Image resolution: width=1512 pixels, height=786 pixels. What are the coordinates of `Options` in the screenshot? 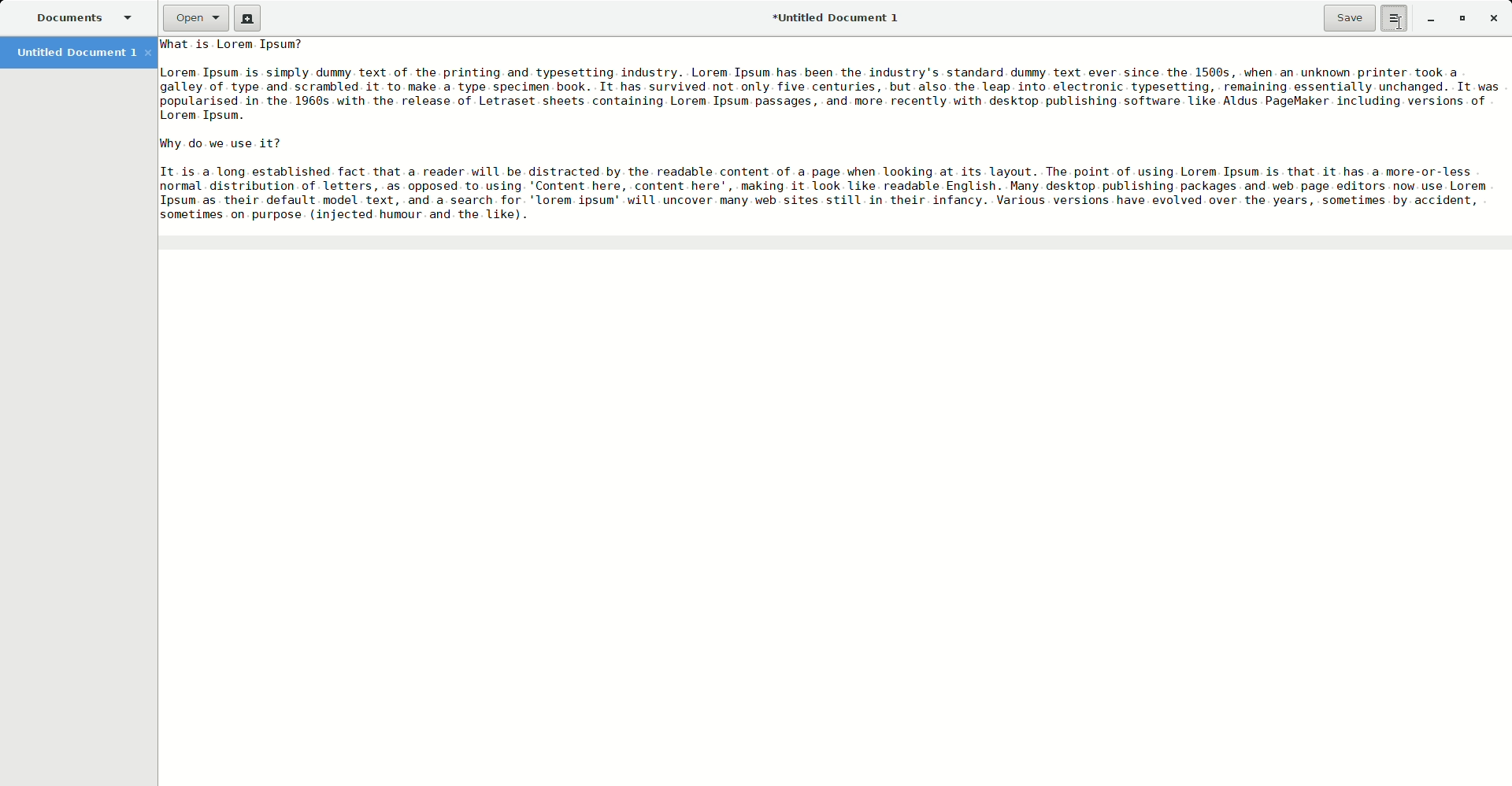 It's located at (1394, 17).